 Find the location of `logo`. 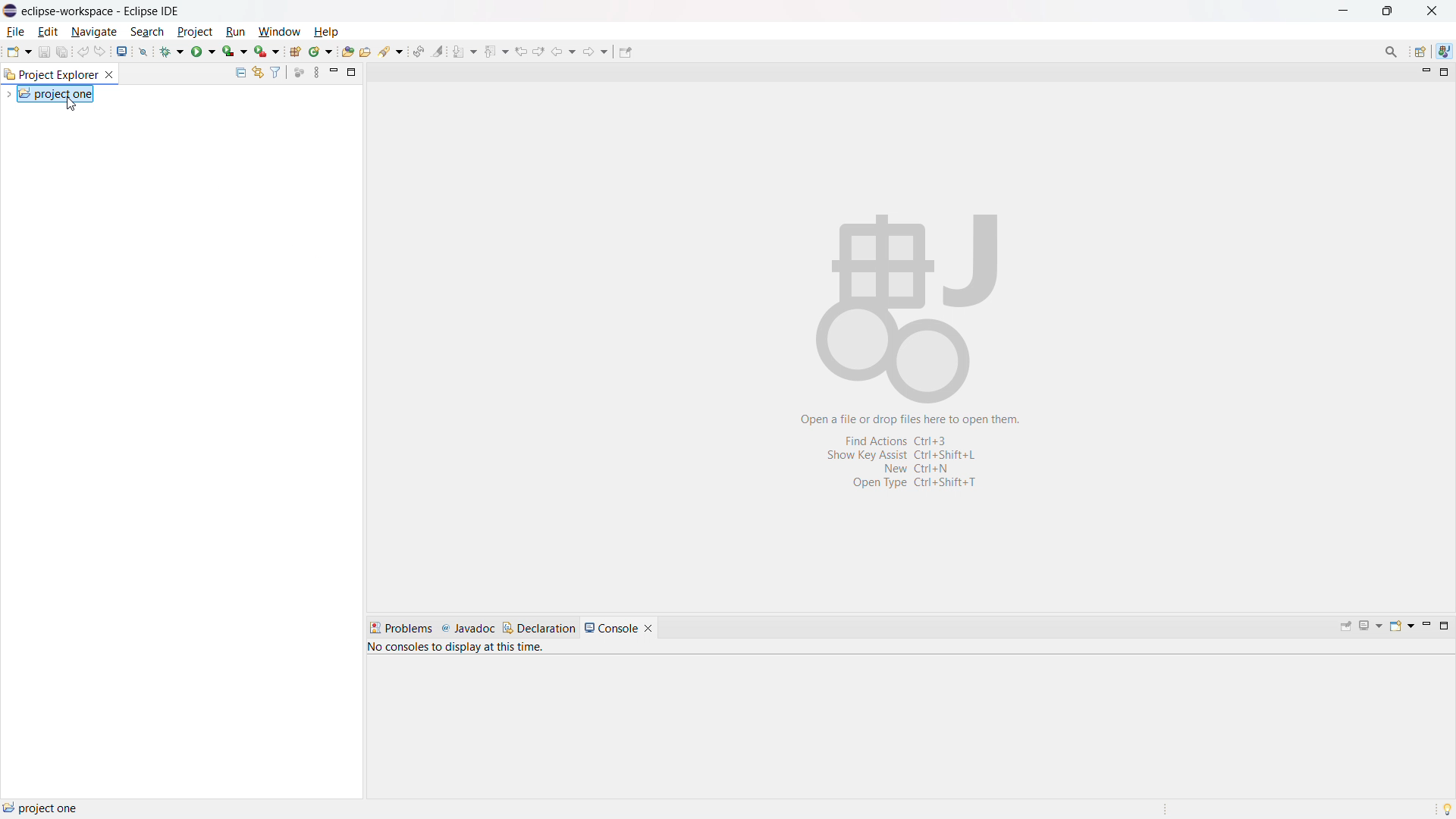

logo is located at coordinates (11, 11).